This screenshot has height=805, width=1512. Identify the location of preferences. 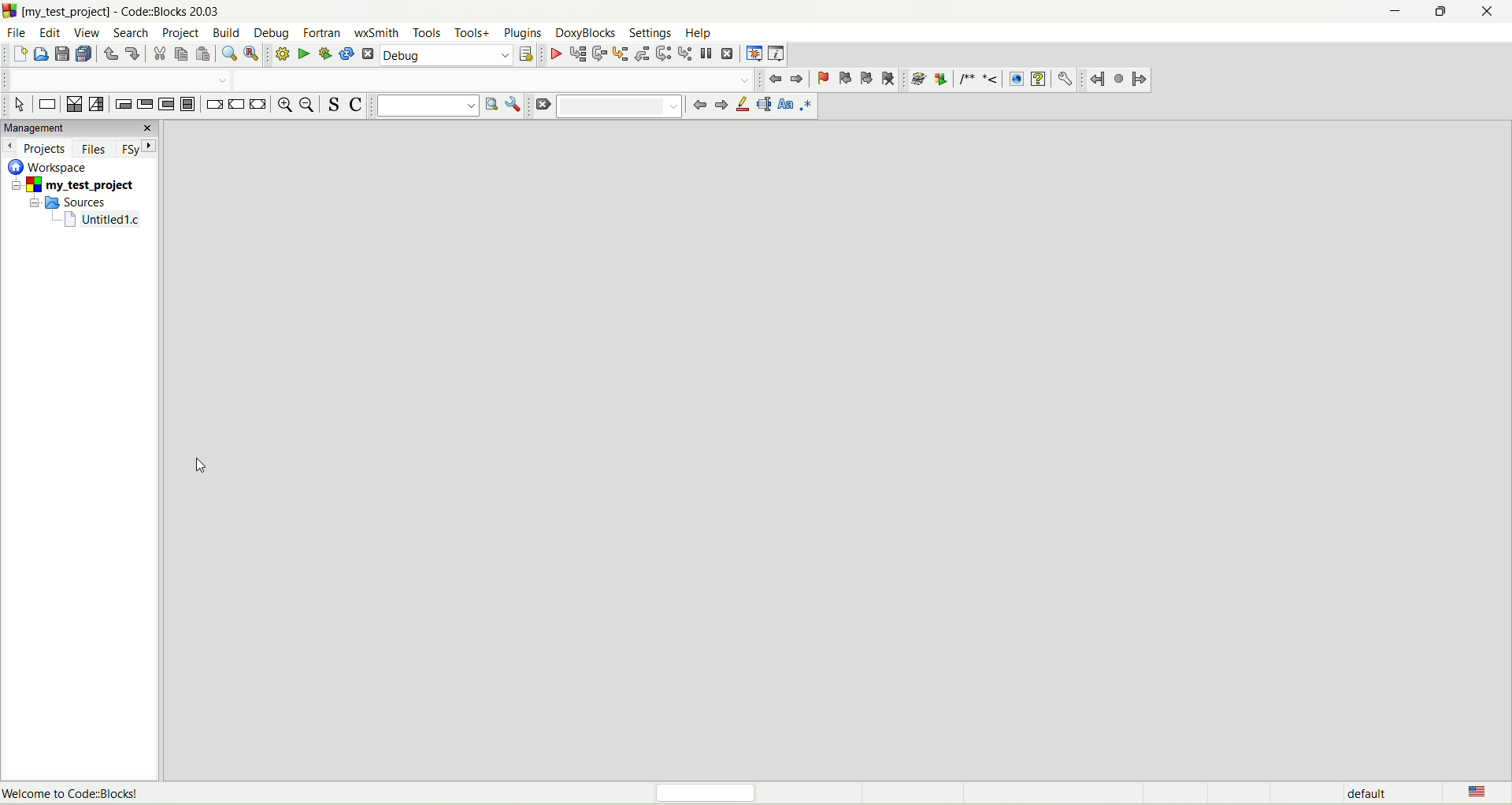
(1069, 80).